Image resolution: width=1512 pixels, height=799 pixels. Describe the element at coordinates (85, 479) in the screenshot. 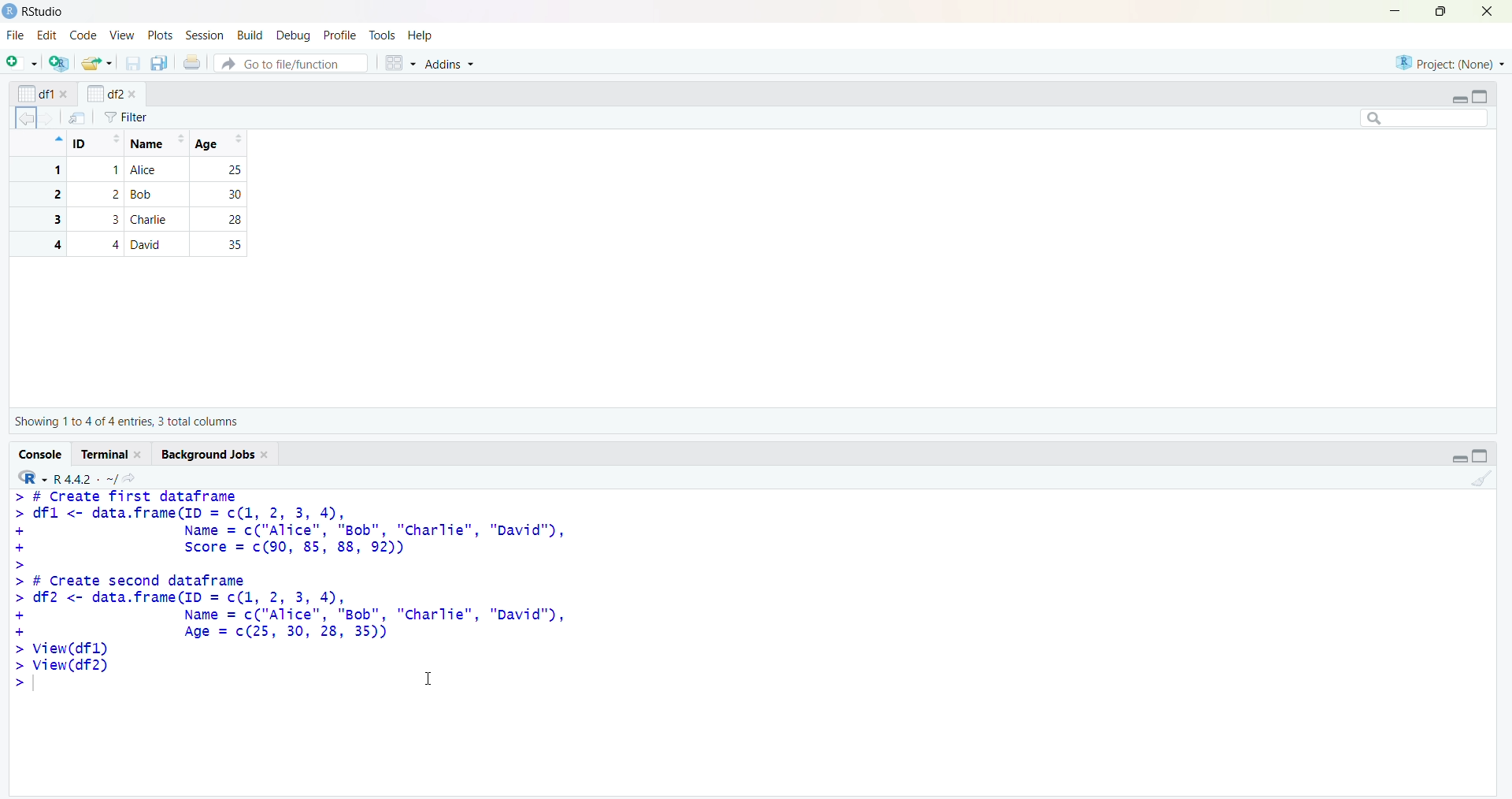

I see `R 4.4.2  ~/` at that location.